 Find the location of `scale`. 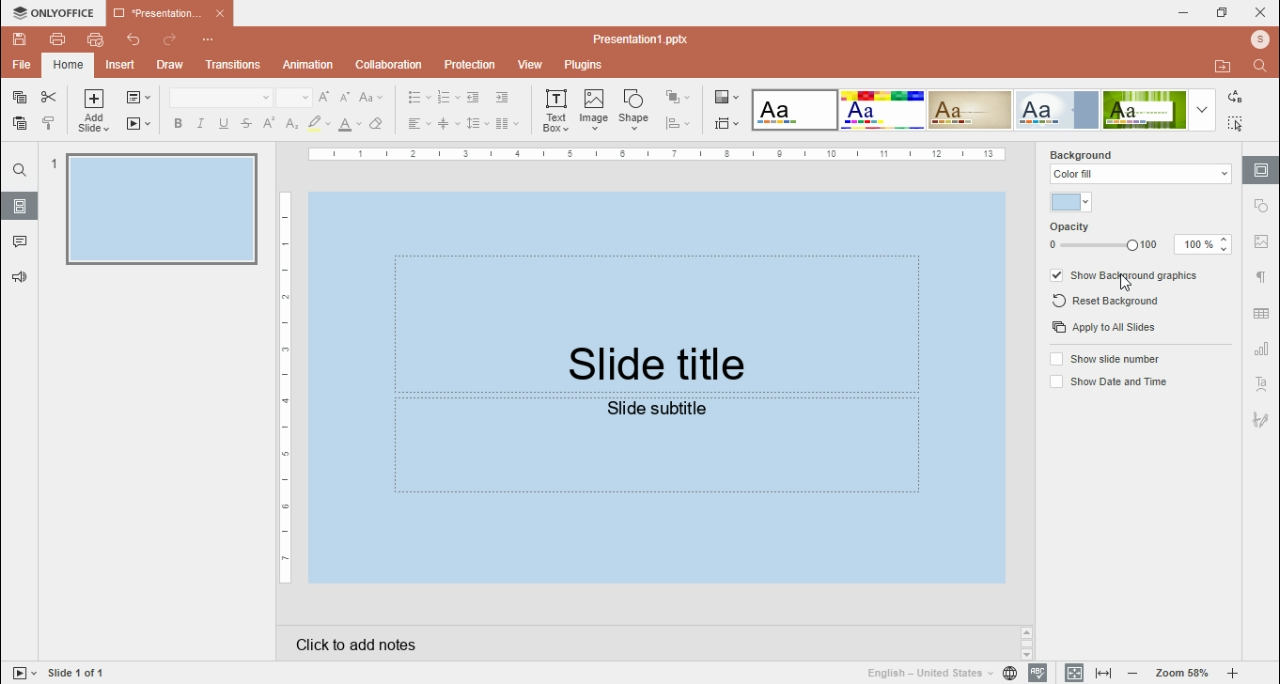

scale is located at coordinates (652, 155).